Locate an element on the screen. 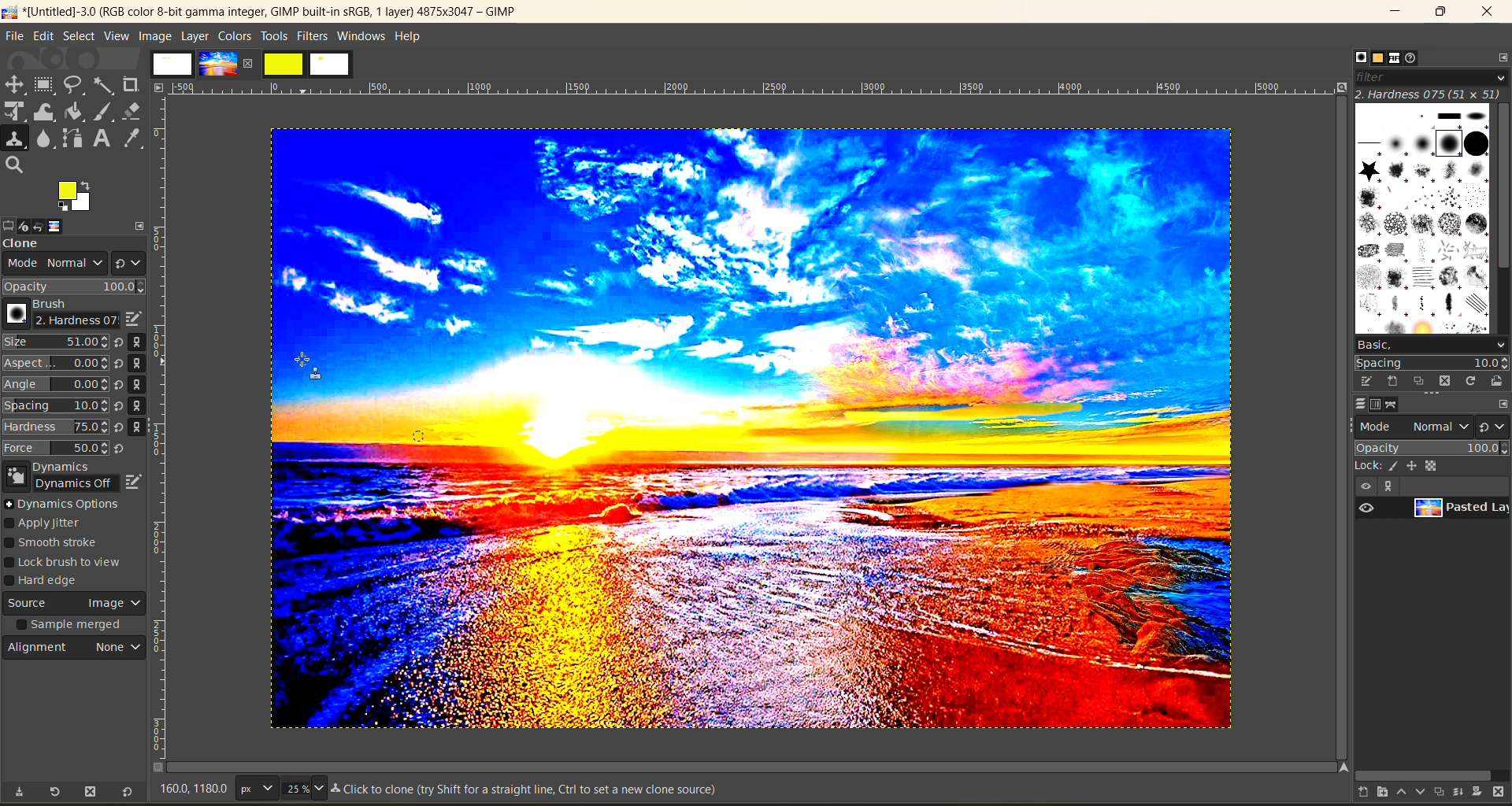 Image resolution: width=1512 pixels, height=806 pixels. cursor is located at coordinates (305, 372).